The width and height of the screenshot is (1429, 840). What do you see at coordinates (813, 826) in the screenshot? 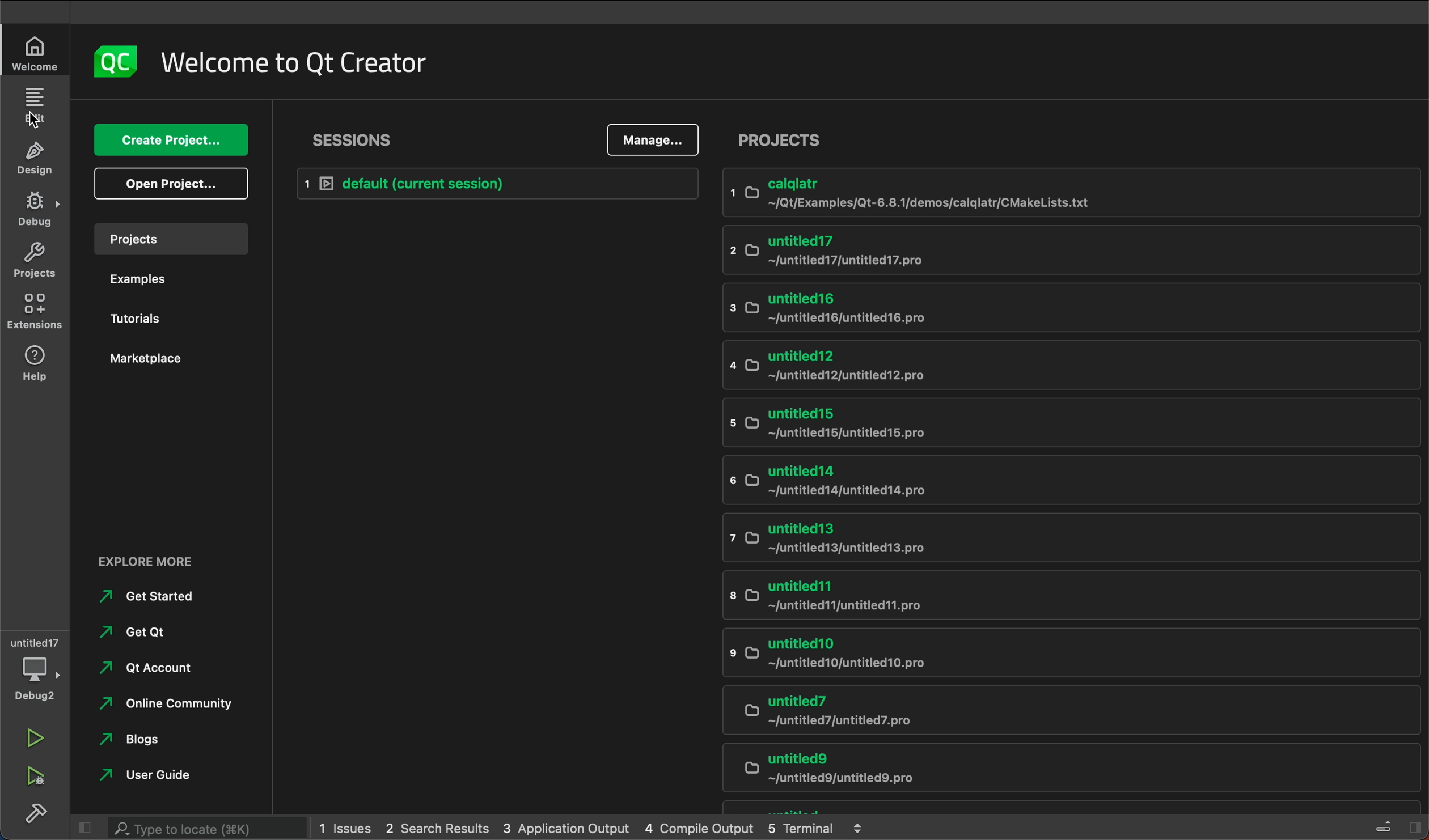
I see `terminal` at bounding box center [813, 826].